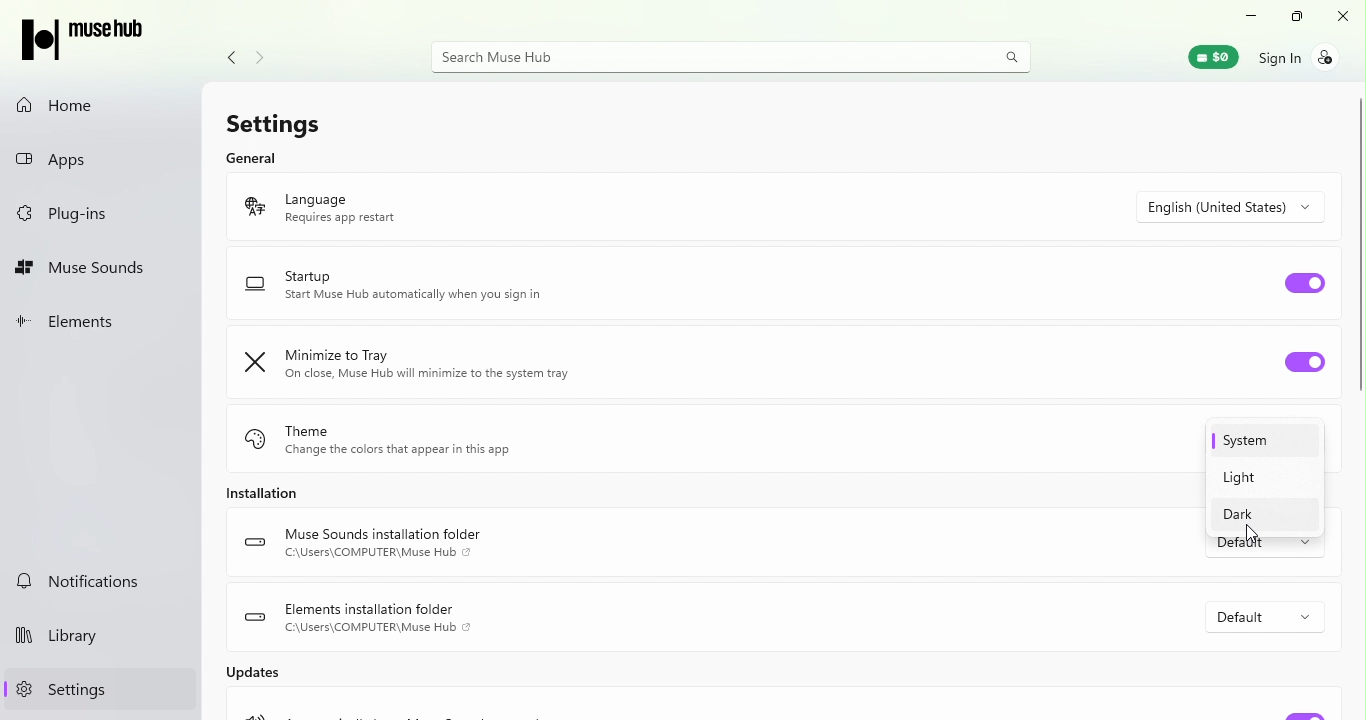 This screenshot has width=1366, height=720. Describe the element at coordinates (1262, 547) in the screenshot. I see `Drop down menu` at that location.